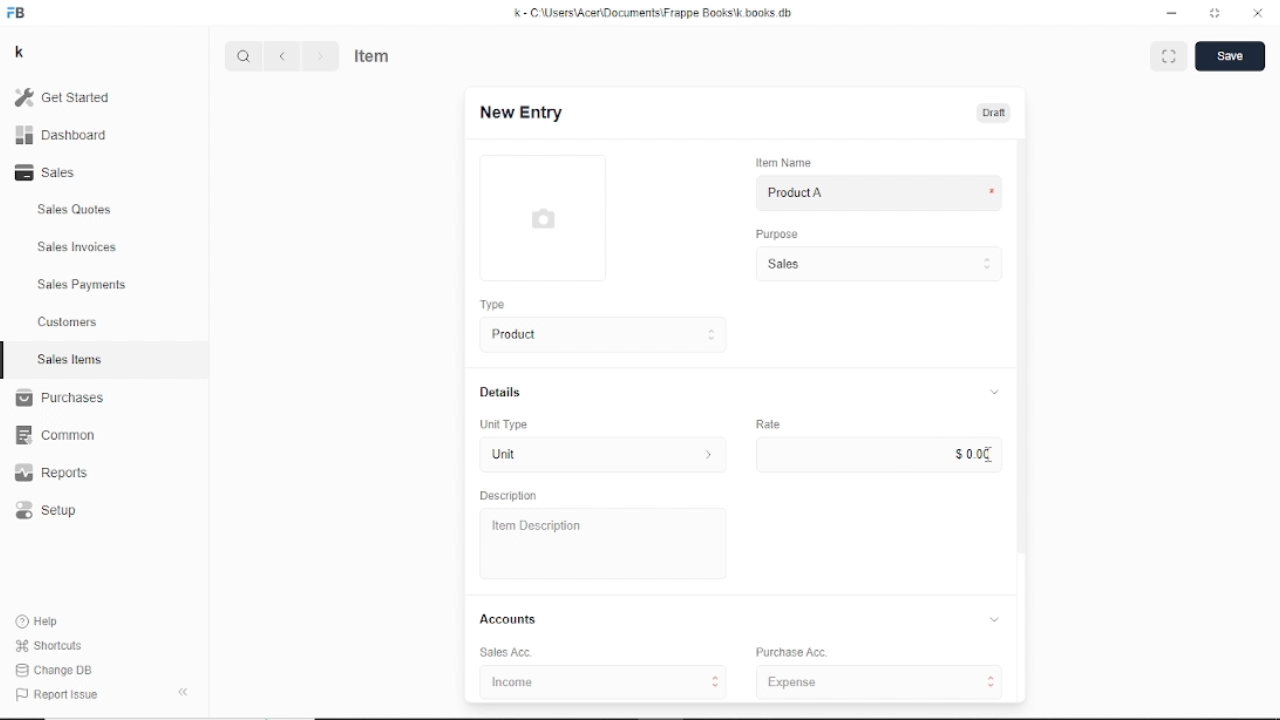 This screenshot has height=720, width=1280. I want to click on Product, so click(598, 335).